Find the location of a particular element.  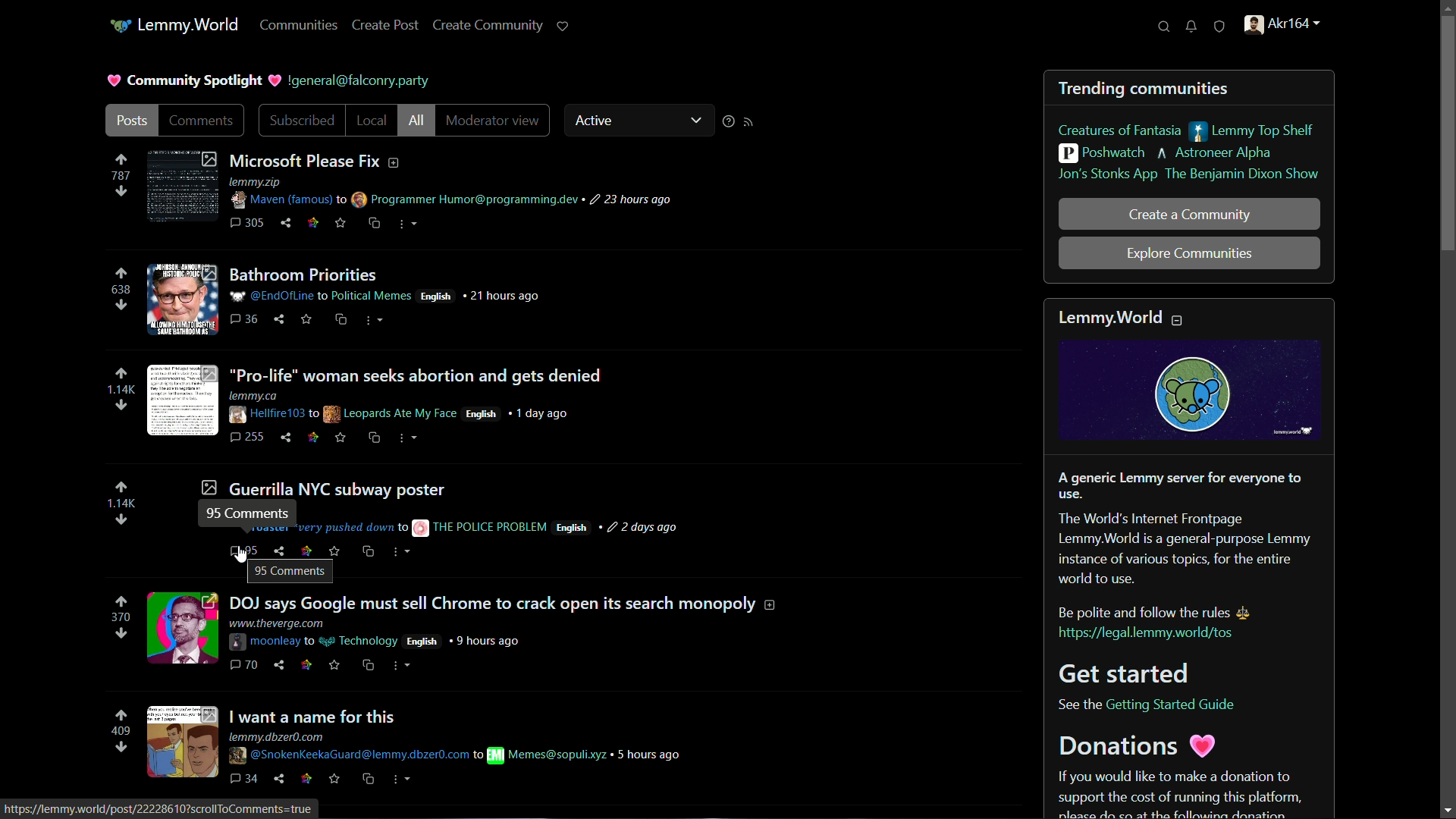

moonleay is located at coordinates (273, 641).